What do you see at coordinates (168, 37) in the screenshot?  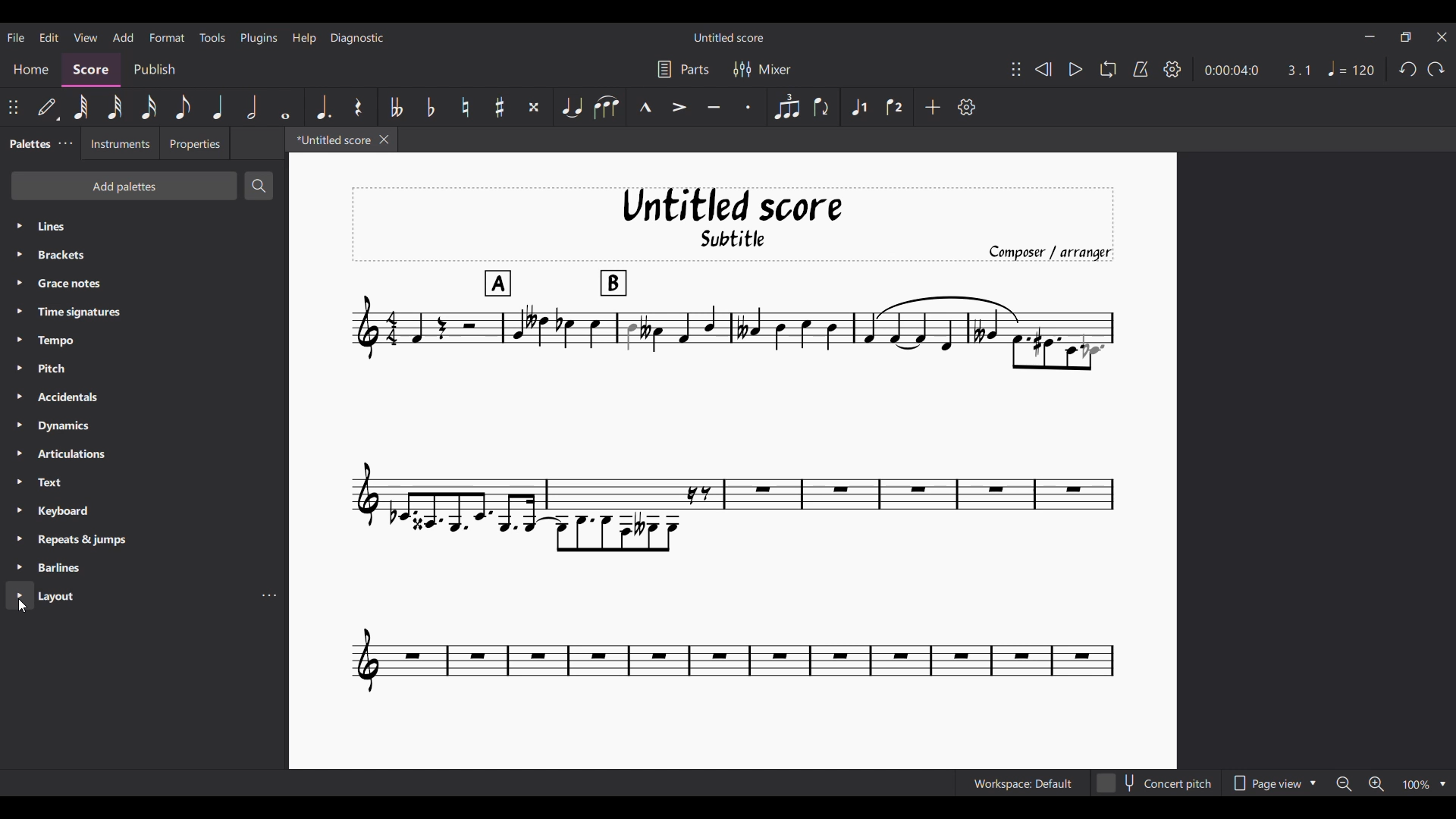 I see `Format menu` at bounding box center [168, 37].